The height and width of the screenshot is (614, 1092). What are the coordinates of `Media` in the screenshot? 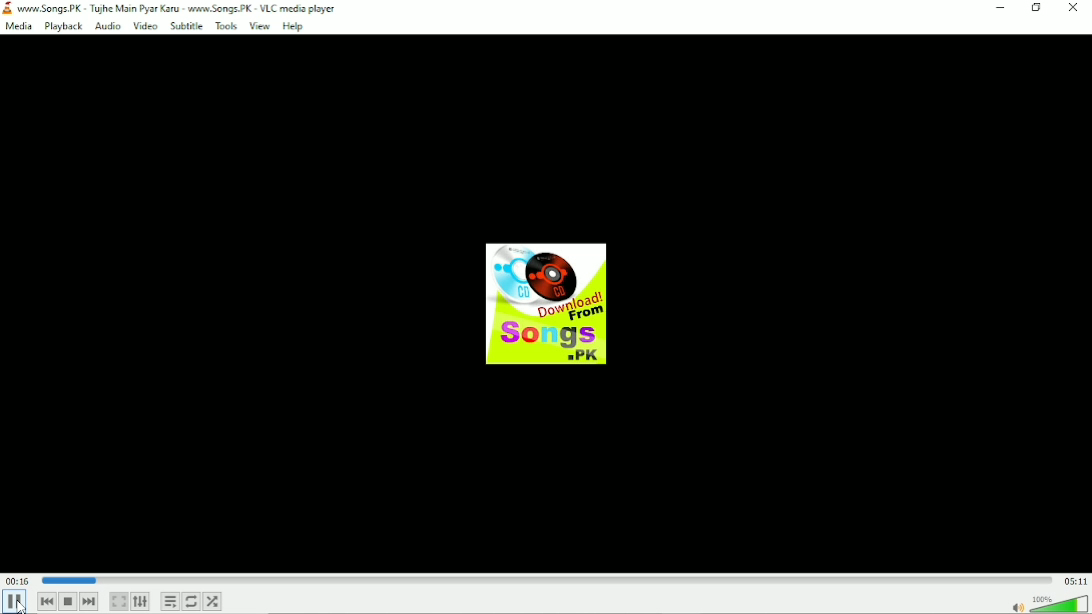 It's located at (18, 26).